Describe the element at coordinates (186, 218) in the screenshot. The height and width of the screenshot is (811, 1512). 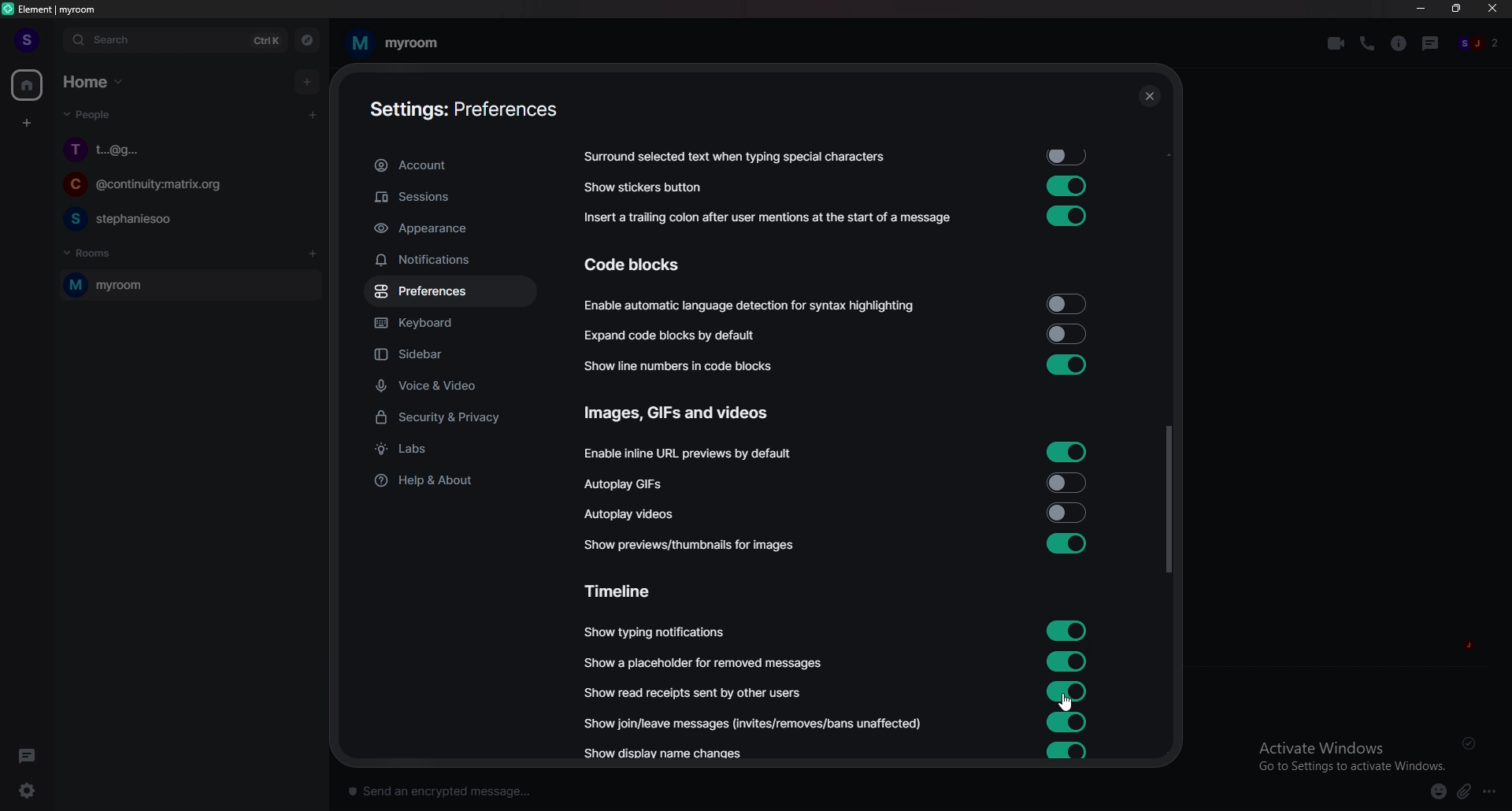
I see `chat` at that location.